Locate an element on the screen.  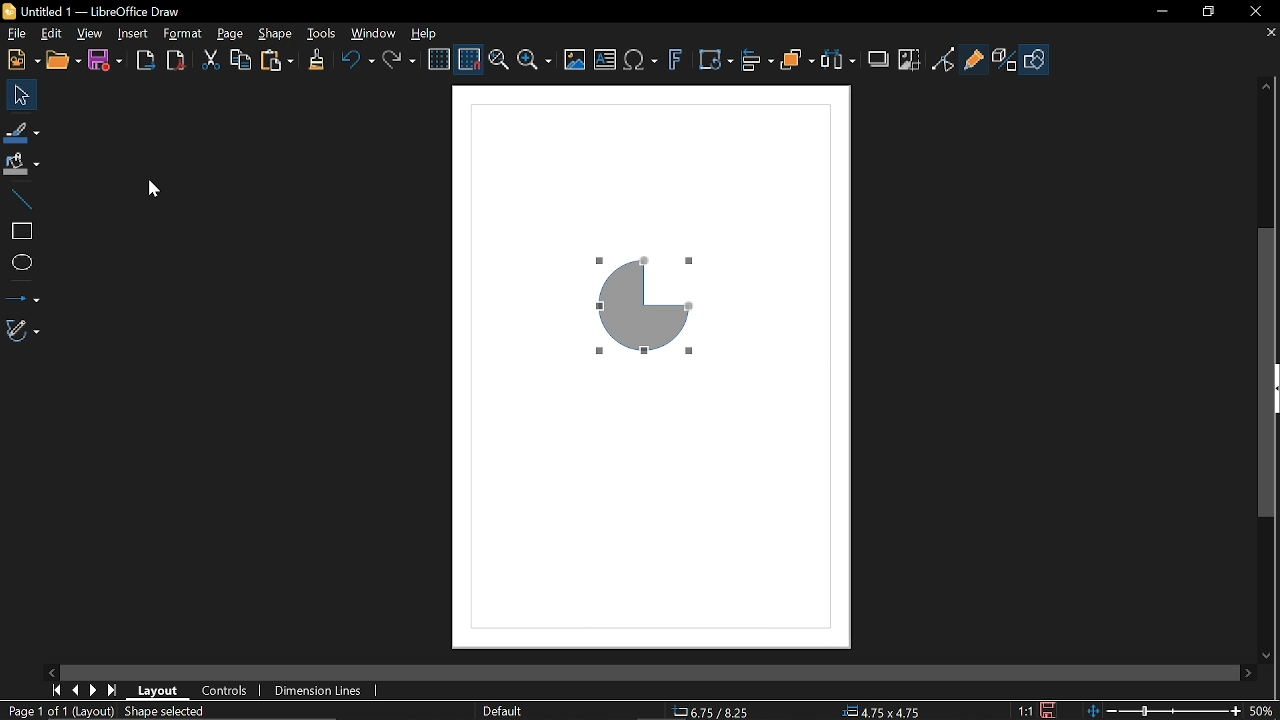
Toggle  is located at coordinates (943, 59).